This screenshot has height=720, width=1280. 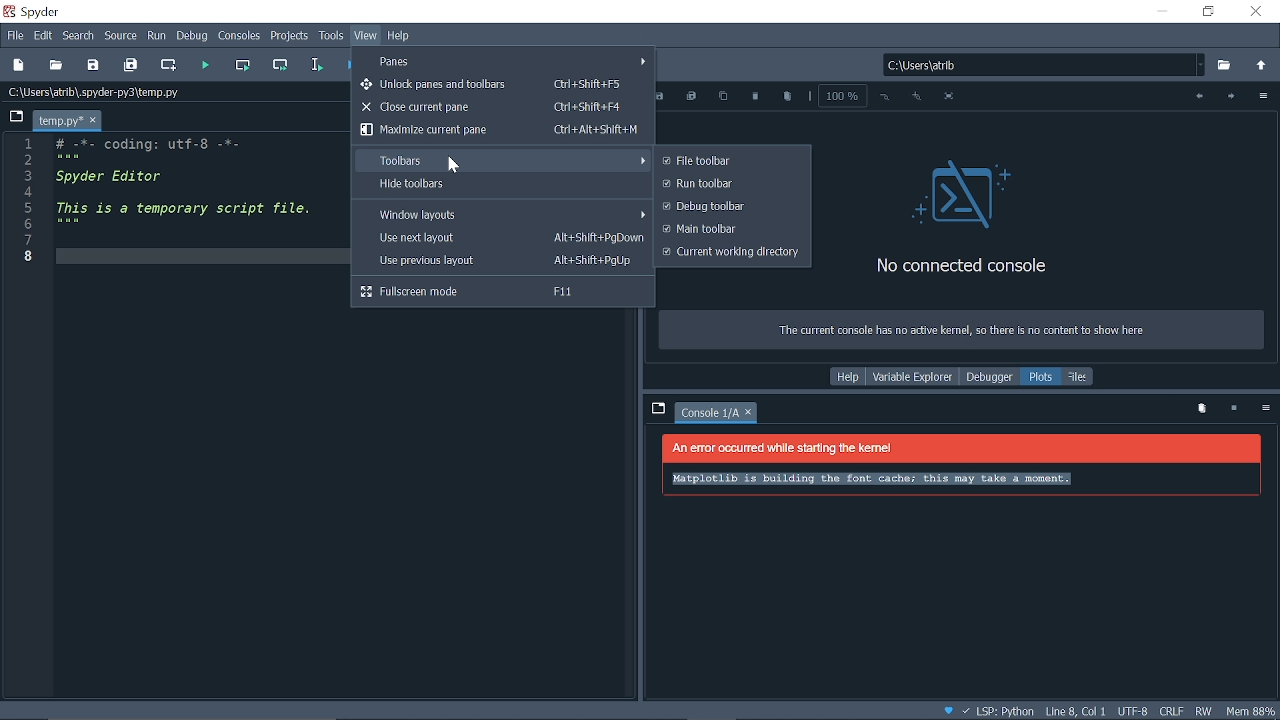 I want to click on Run, so click(x=157, y=37).